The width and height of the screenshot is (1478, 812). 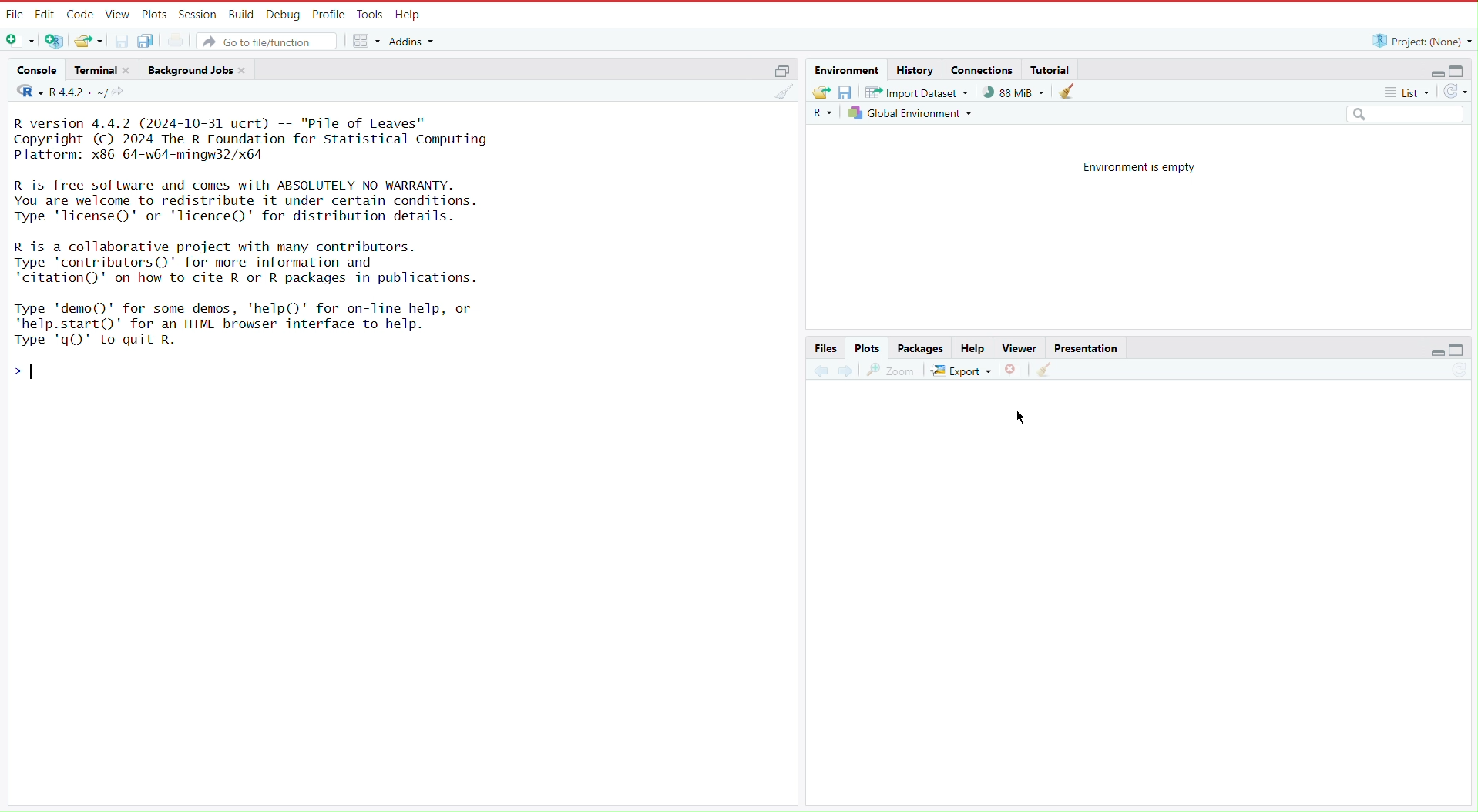 What do you see at coordinates (415, 42) in the screenshot?
I see `Addins` at bounding box center [415, 42].